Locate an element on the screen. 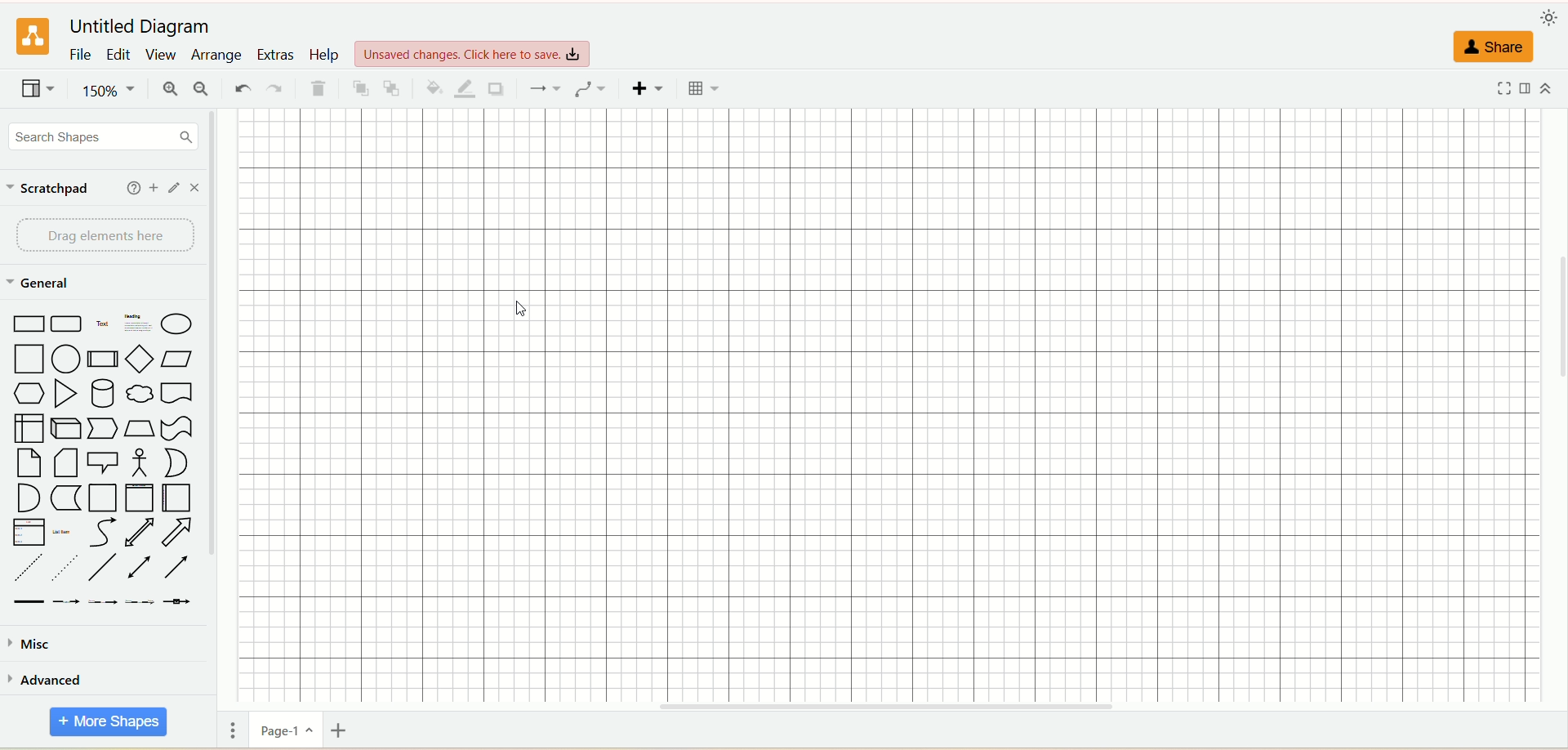 The image size is (1568, 750). step is located at coordinates (101, 427).